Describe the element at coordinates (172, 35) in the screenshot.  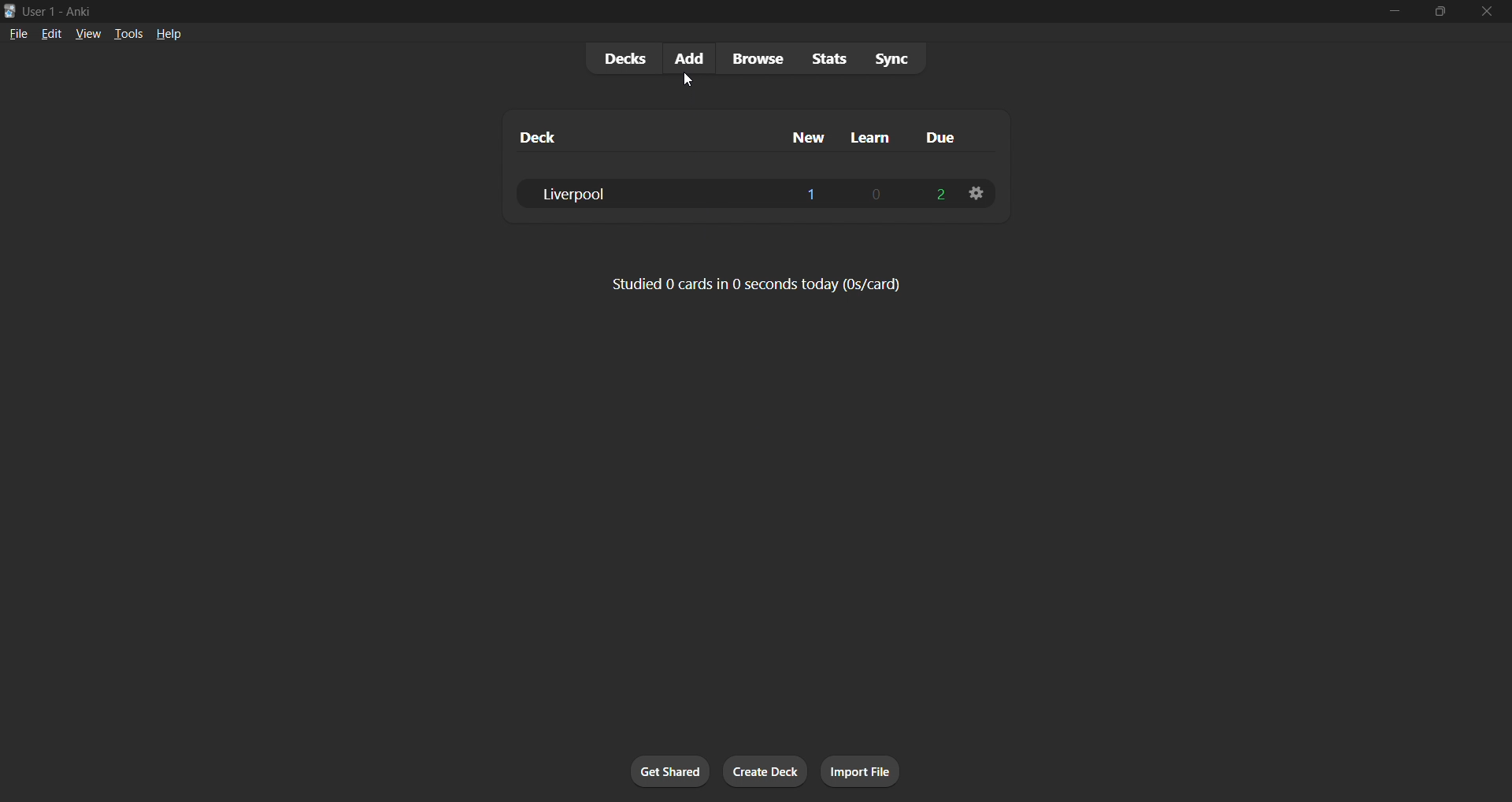
I see `help` at that location.